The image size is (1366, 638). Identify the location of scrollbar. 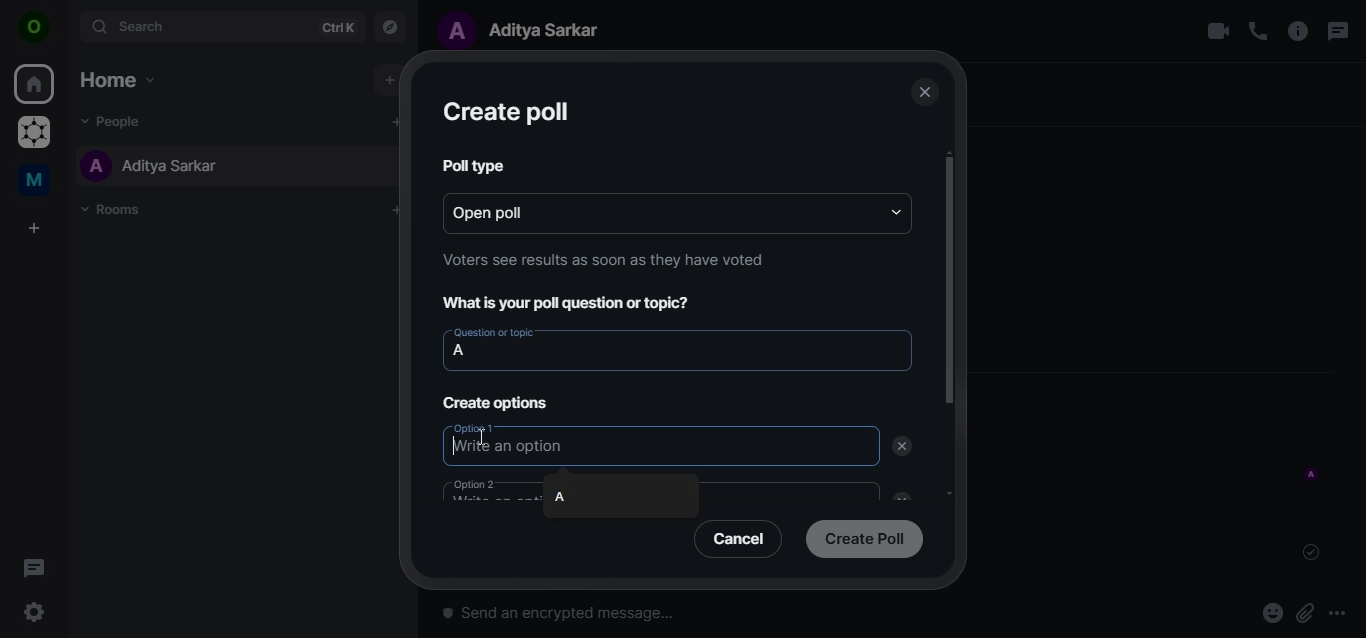
(947, 281).